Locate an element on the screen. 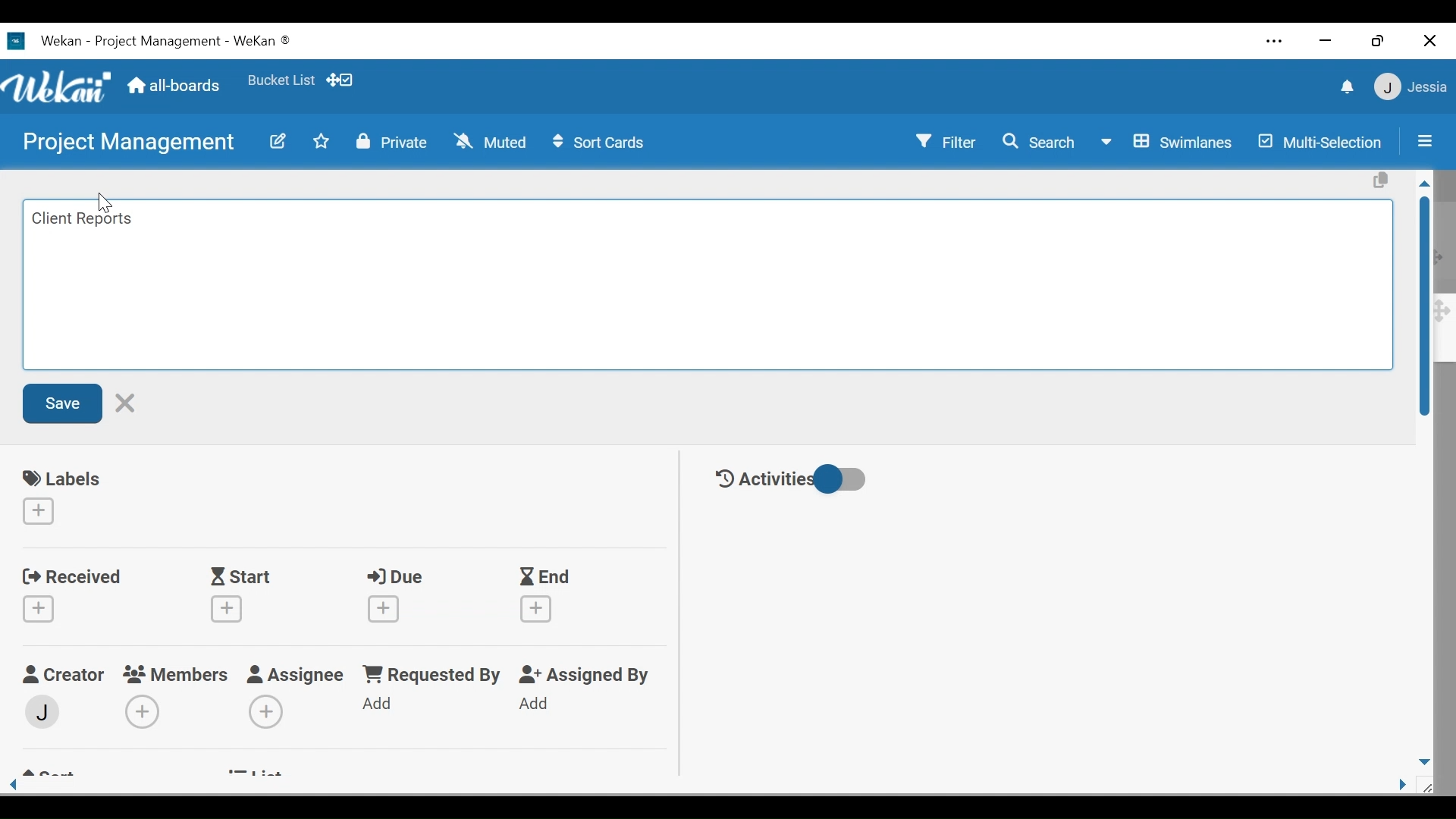 This screenshot has width=1456, height=819. Board View is located at coordinates (1164, 143).